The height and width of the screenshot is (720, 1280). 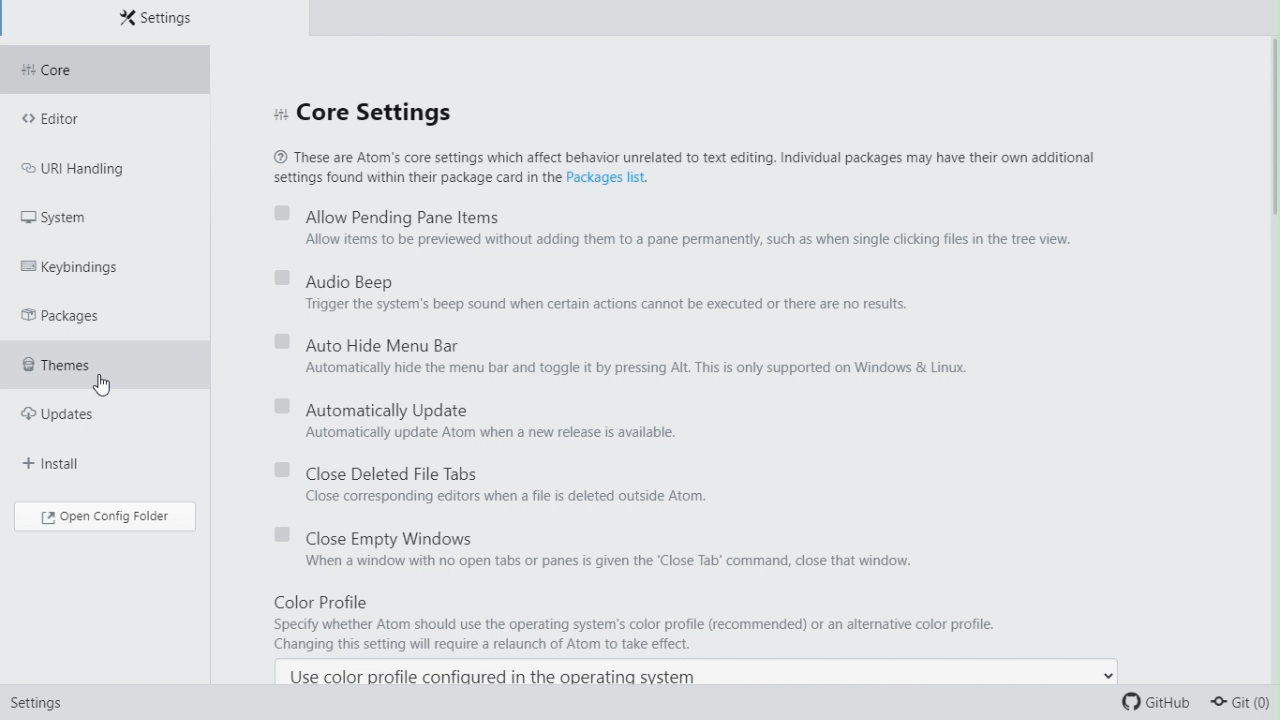 What do you see at coordinates (372, 111) in the screenshot?
I see `Core settings` at bounding box center [372, 111].